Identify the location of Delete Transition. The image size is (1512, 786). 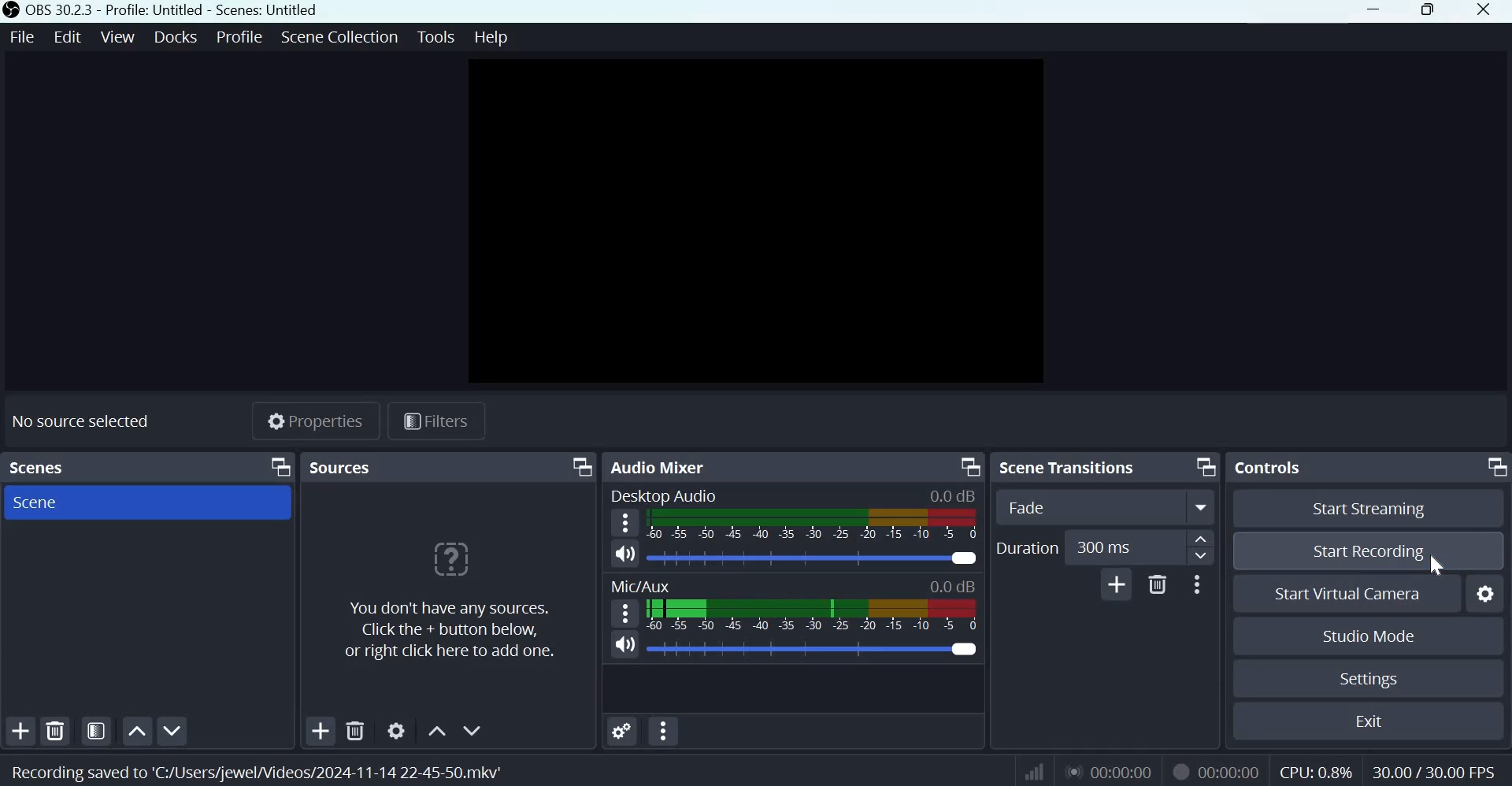
(1157, 584).